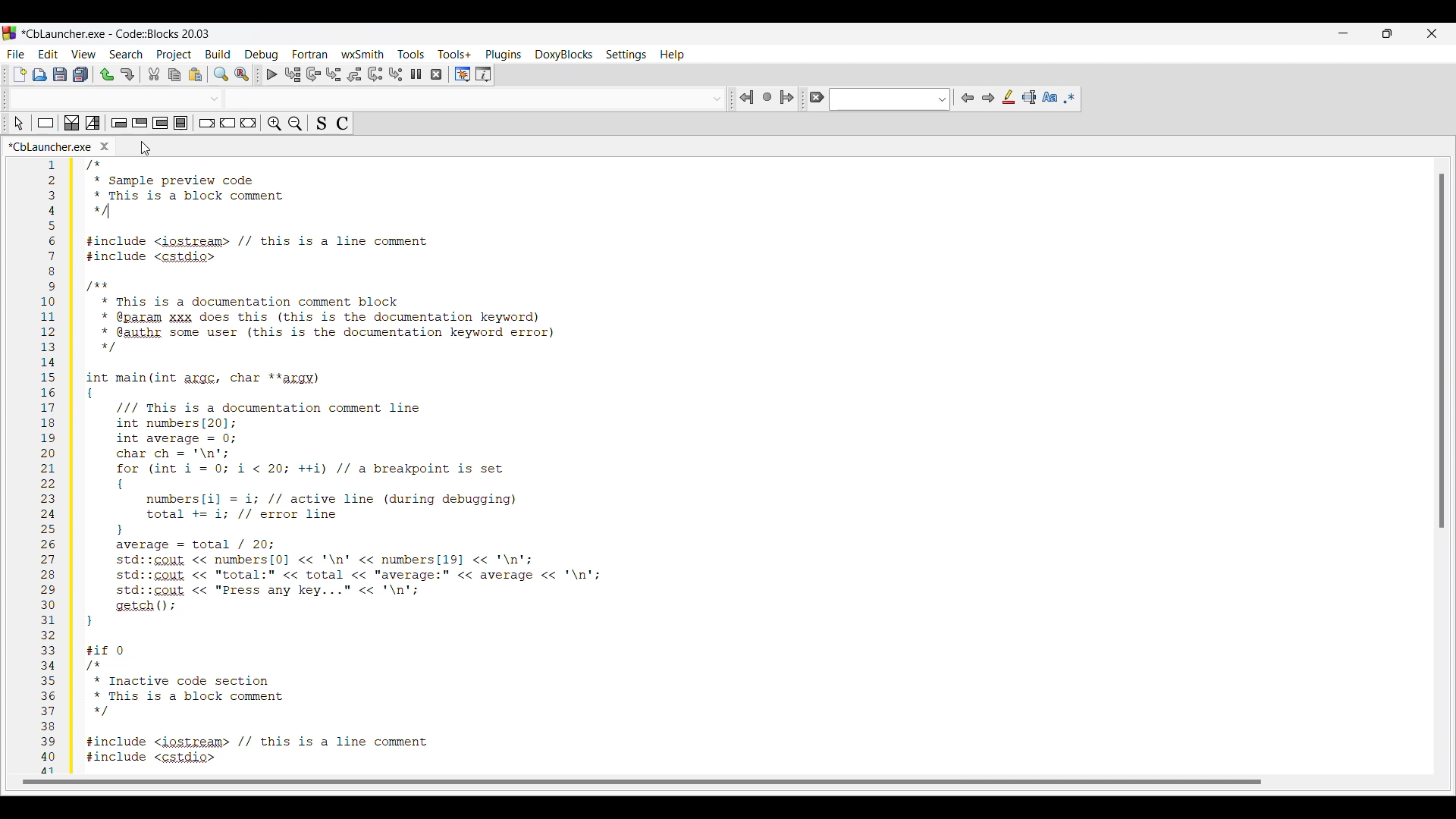  I want to click on Save everything, so click(80, 74).